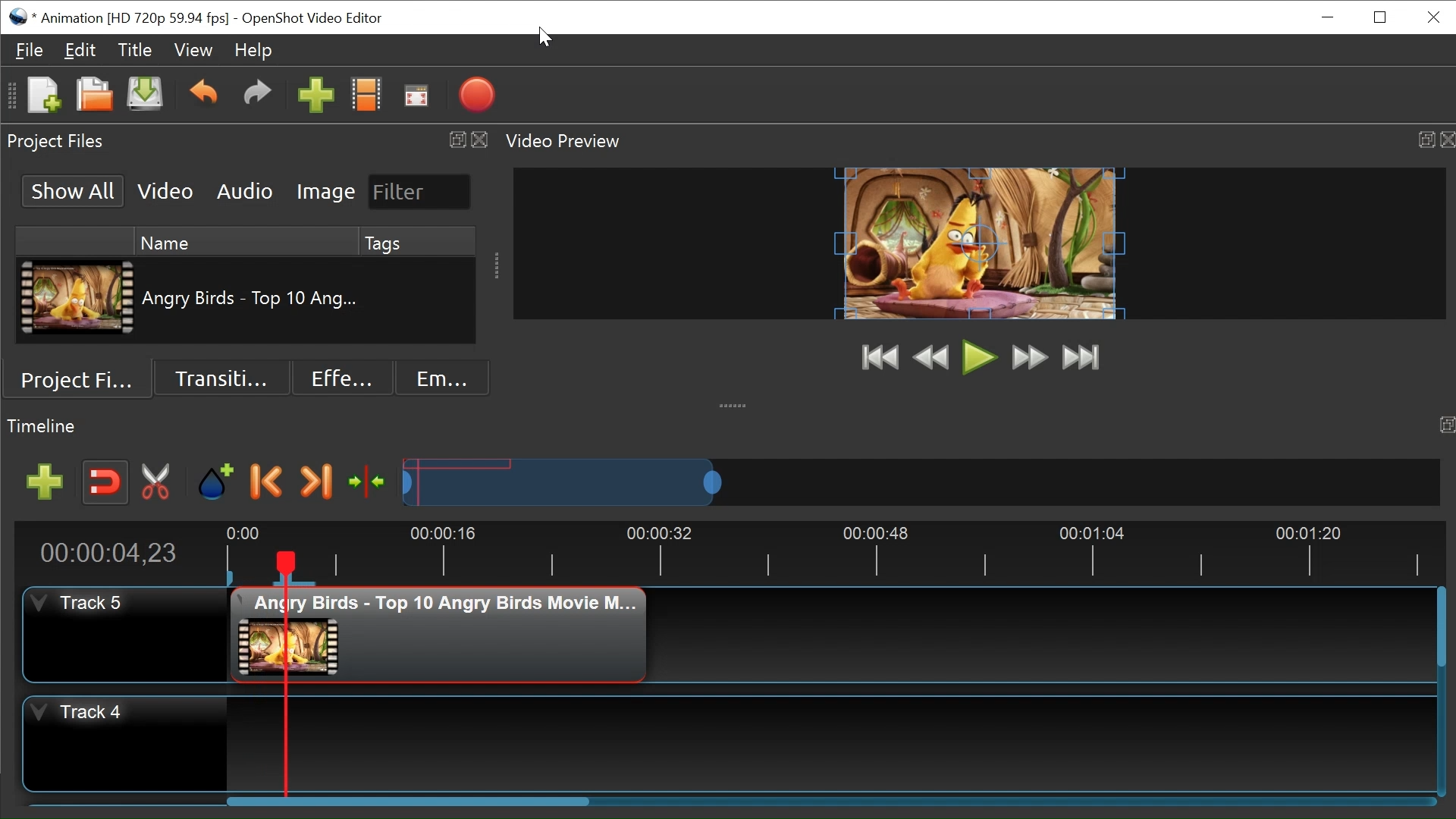  I want to click on Clip at the track, so click(439, 635).